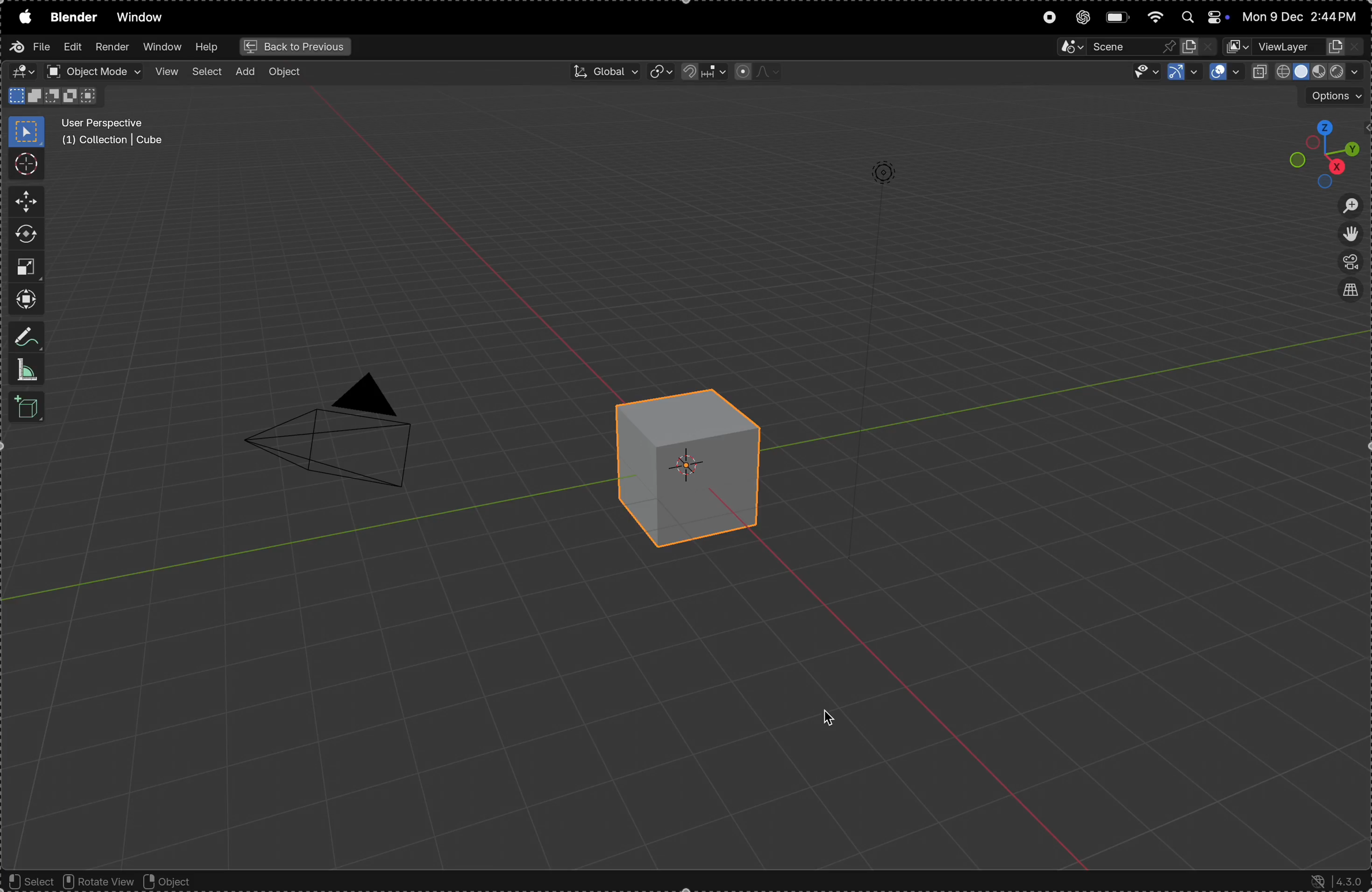 Image resolution: width=1372 pixels, height=892 pixels. Describe the element at coordinates (699, 72) in the screenshot. I see `snap` at that location.